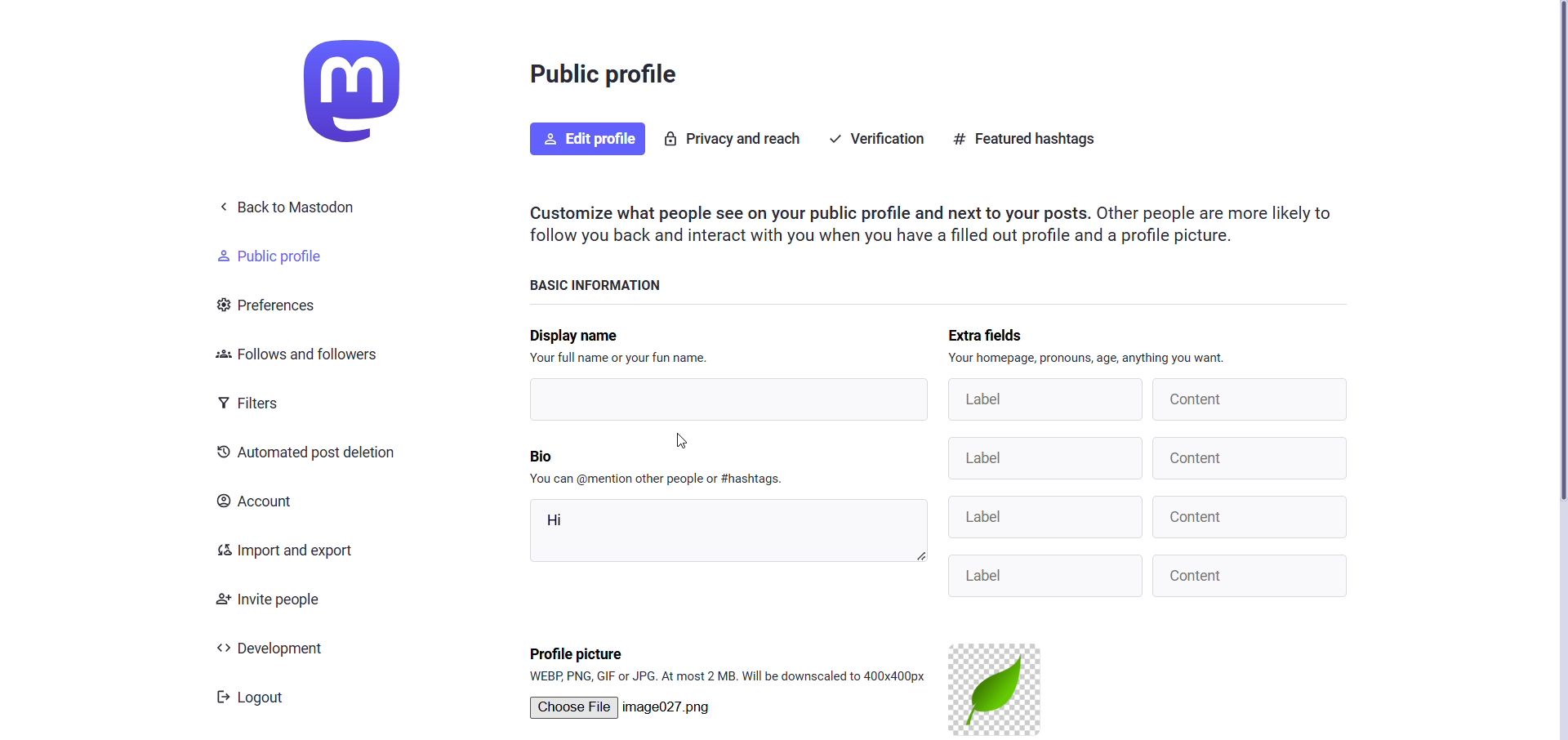 The image size is (1568, 740). Describe the element at coordinates (581, 334) in the screenshot. I see `display name` at that location.